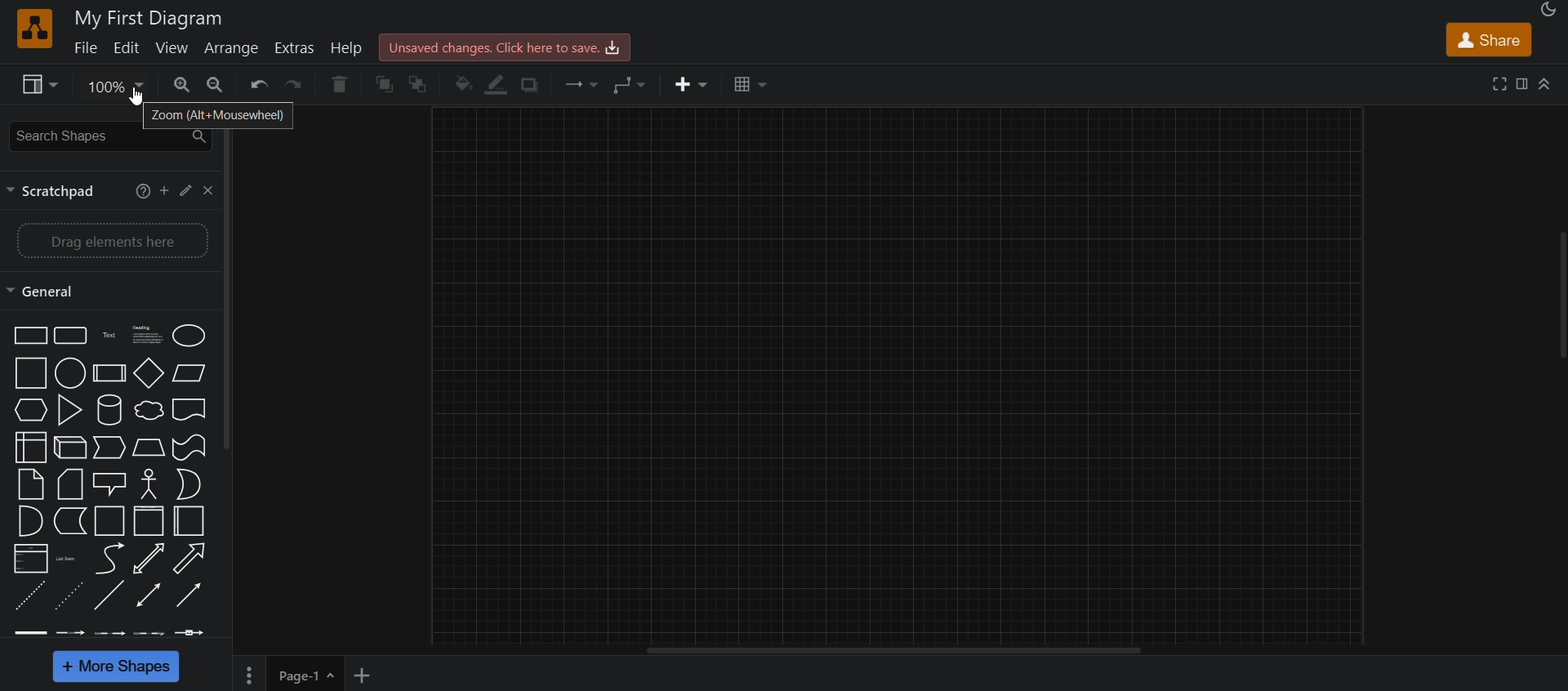  I want to click on to front, so click(385, 87).